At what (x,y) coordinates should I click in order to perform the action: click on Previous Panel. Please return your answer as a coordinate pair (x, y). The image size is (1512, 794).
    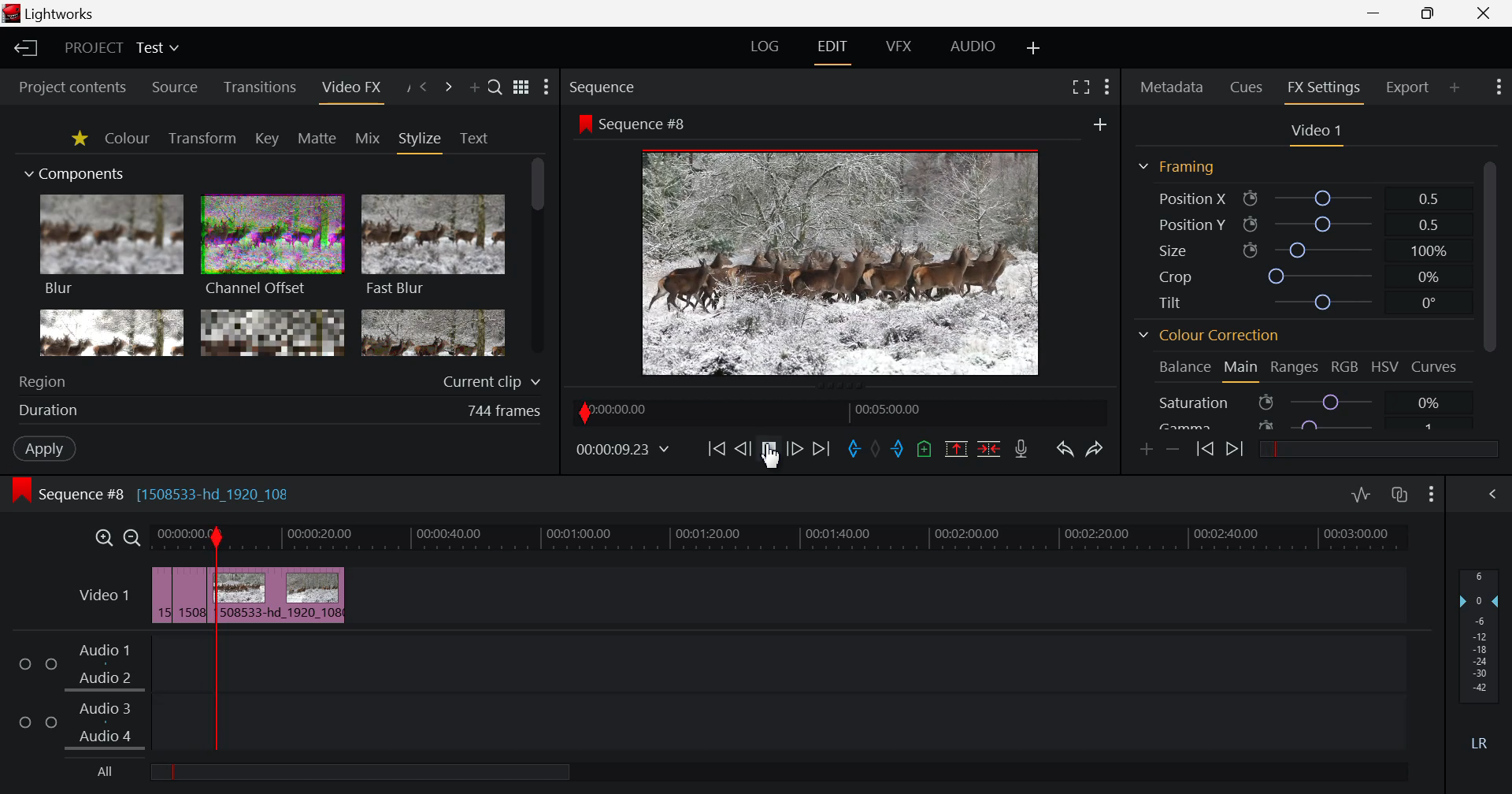
    Looking at the image, I should click on (424, 87).